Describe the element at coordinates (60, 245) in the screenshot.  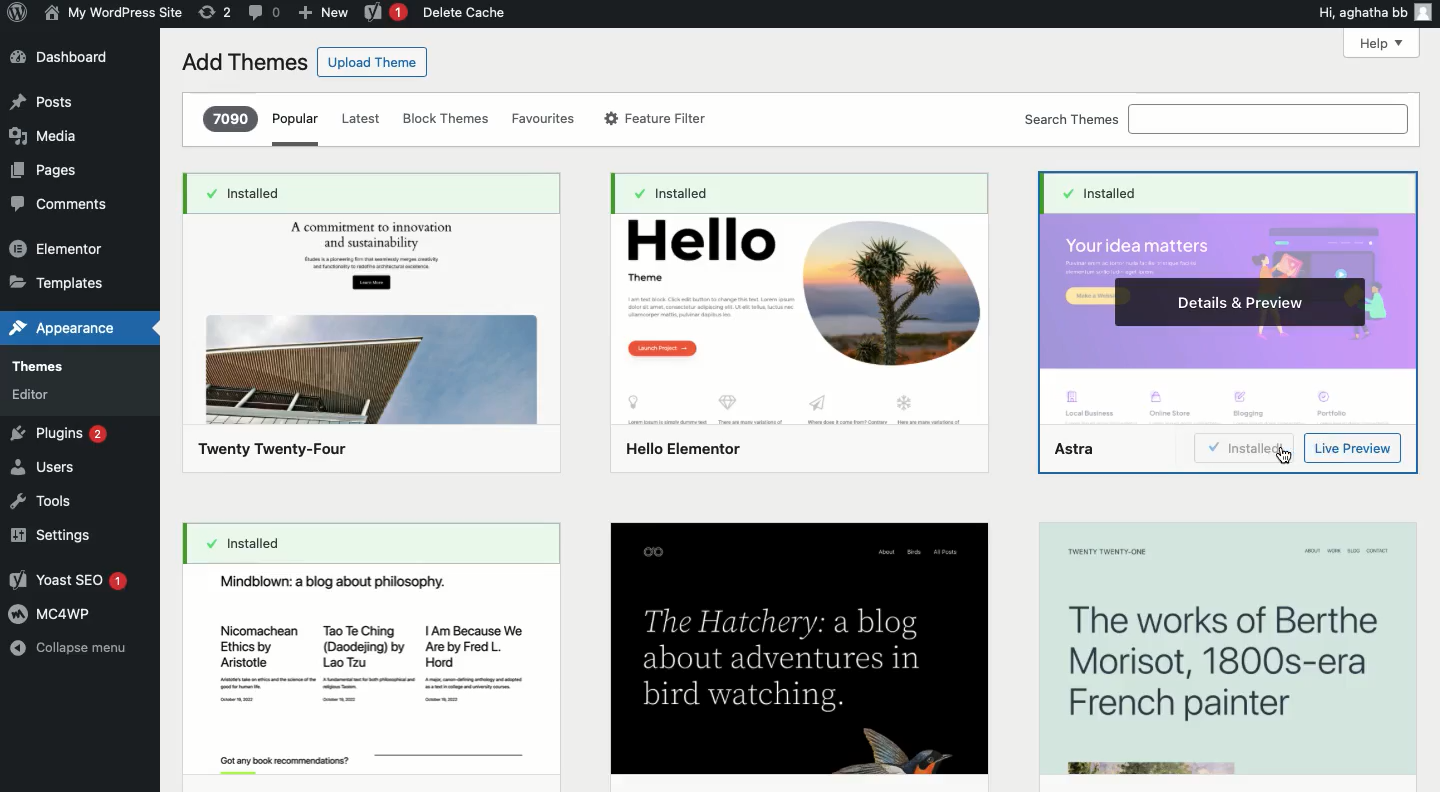
I see `Elementor` at that location.